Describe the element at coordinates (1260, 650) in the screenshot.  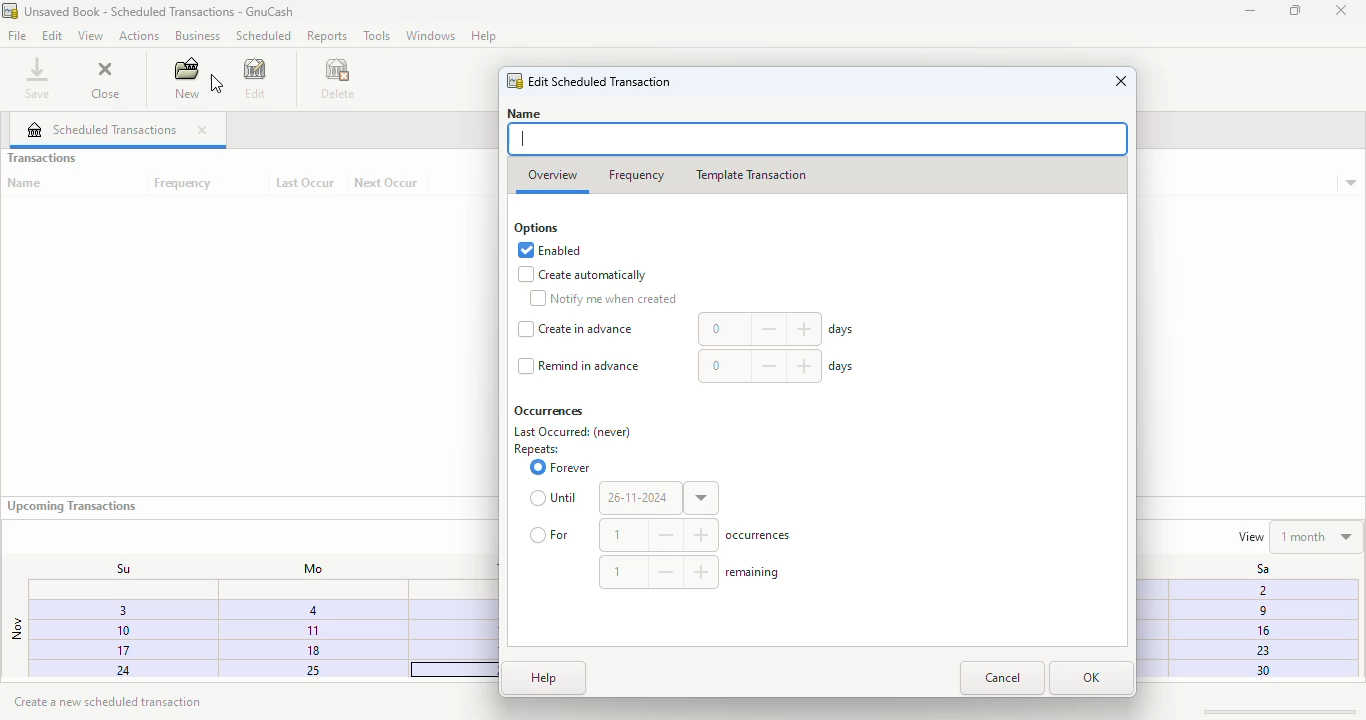
I see `23` at that location.